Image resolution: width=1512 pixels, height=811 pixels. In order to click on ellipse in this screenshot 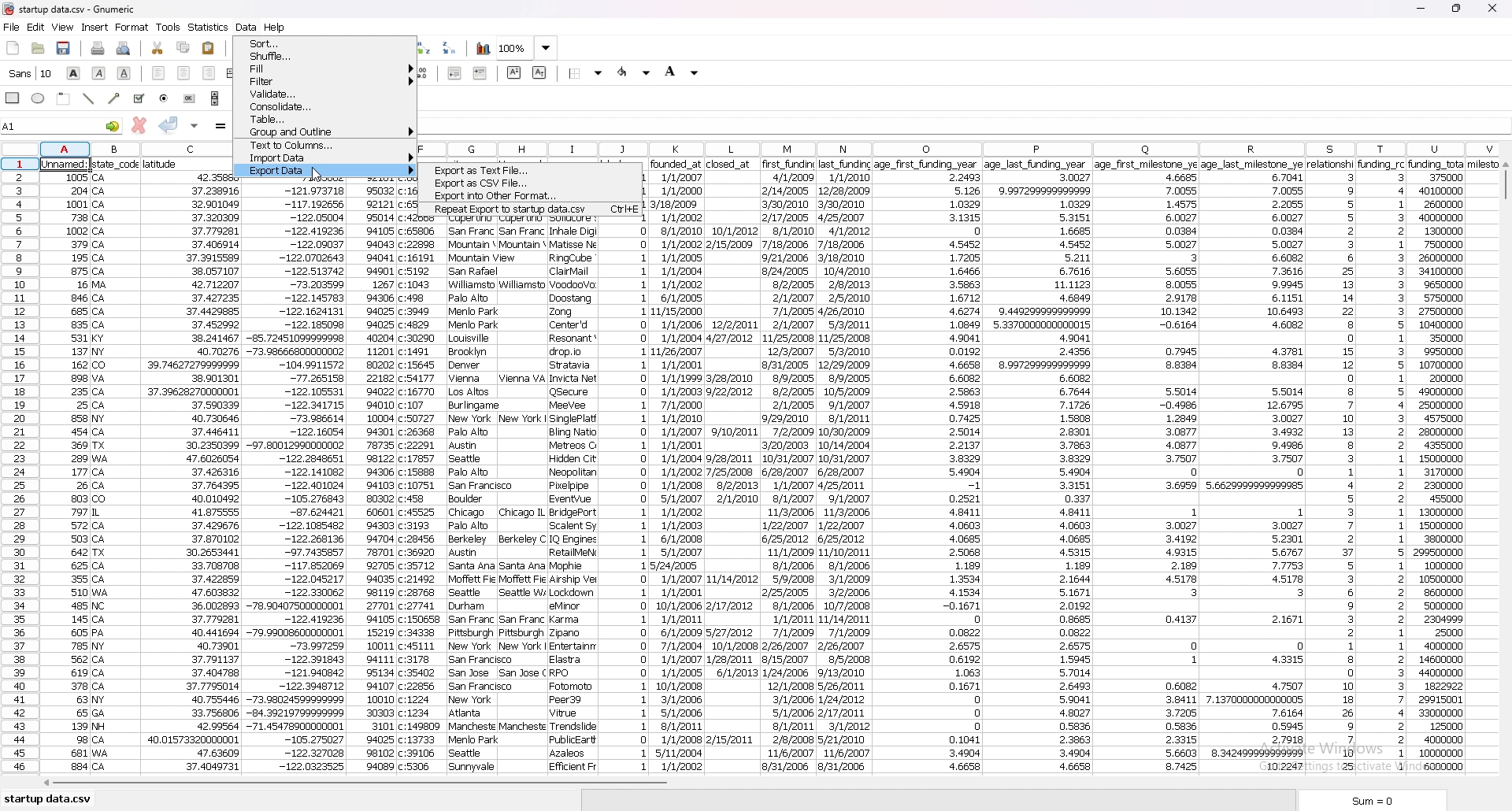, I will do `click(39, 99)`.